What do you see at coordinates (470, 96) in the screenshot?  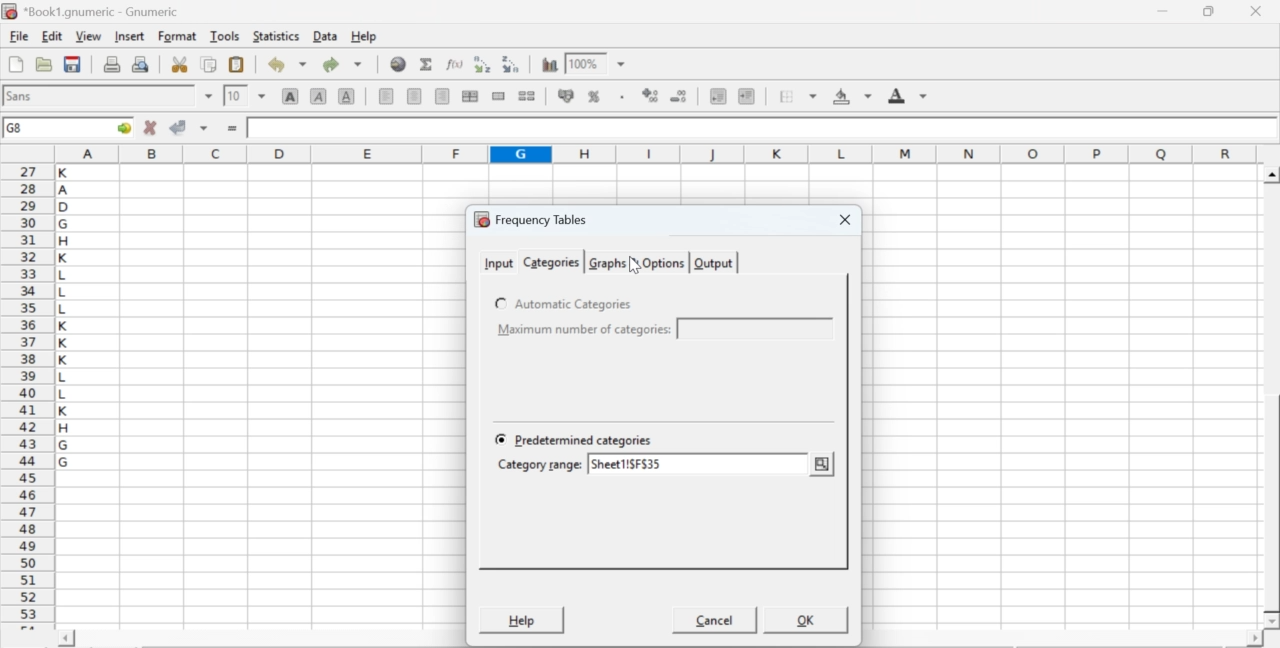 I see `center horizontally` at bounding box center [470, 96].